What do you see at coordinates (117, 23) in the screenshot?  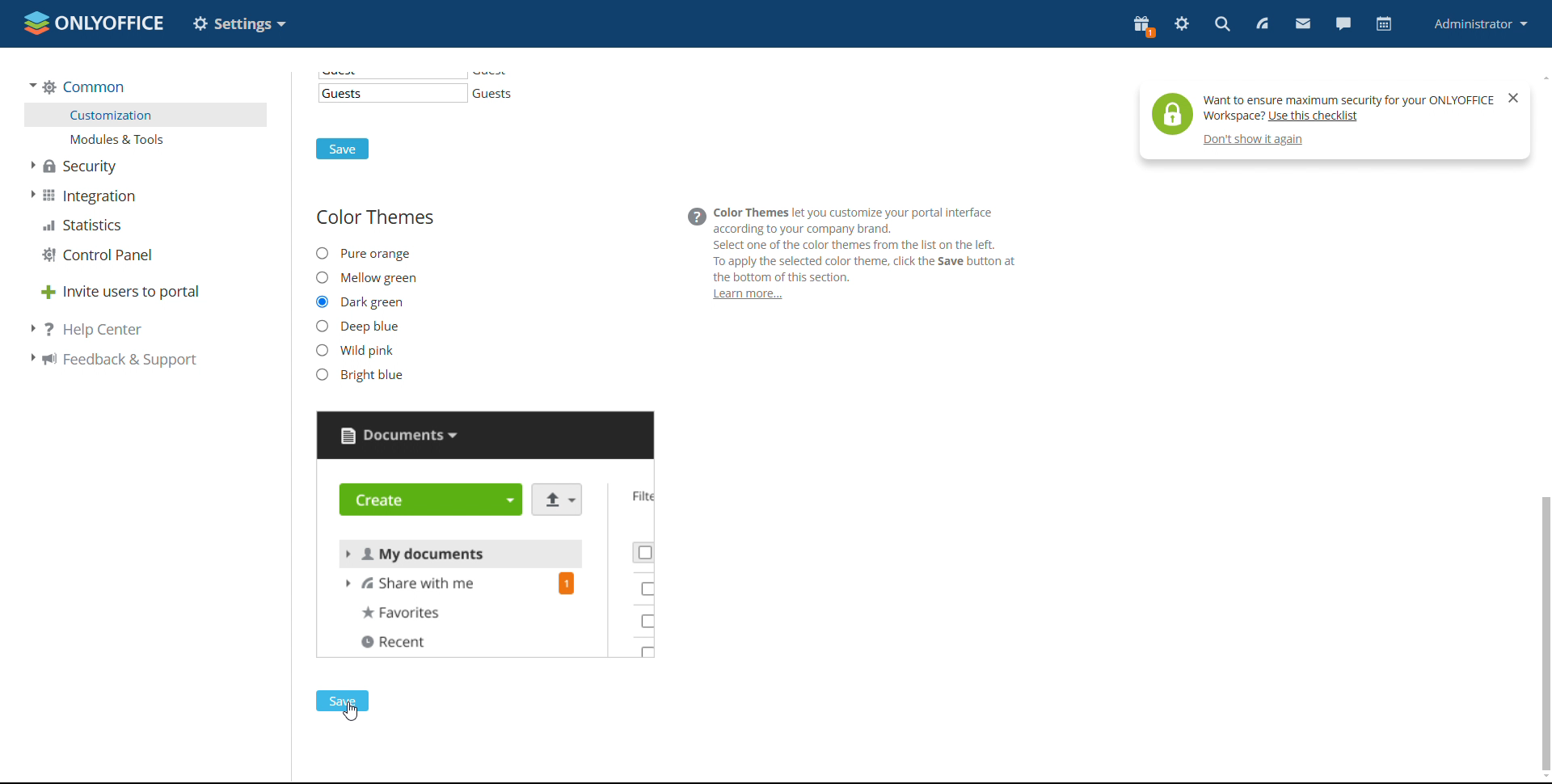 I see `onlyoffice` at bounding box center [117, 23].